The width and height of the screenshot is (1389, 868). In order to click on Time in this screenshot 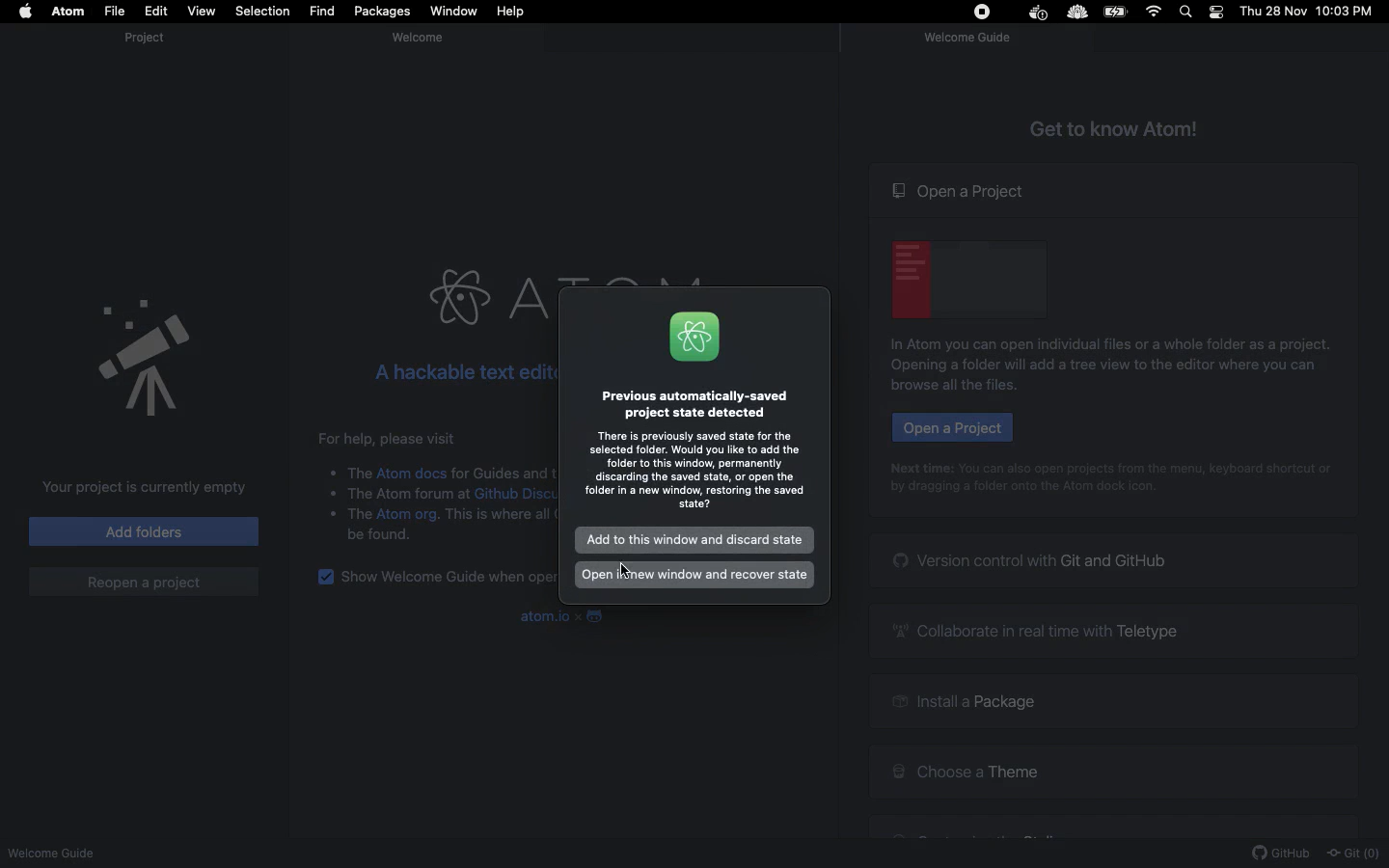, I will do `click(1348, 13)`.